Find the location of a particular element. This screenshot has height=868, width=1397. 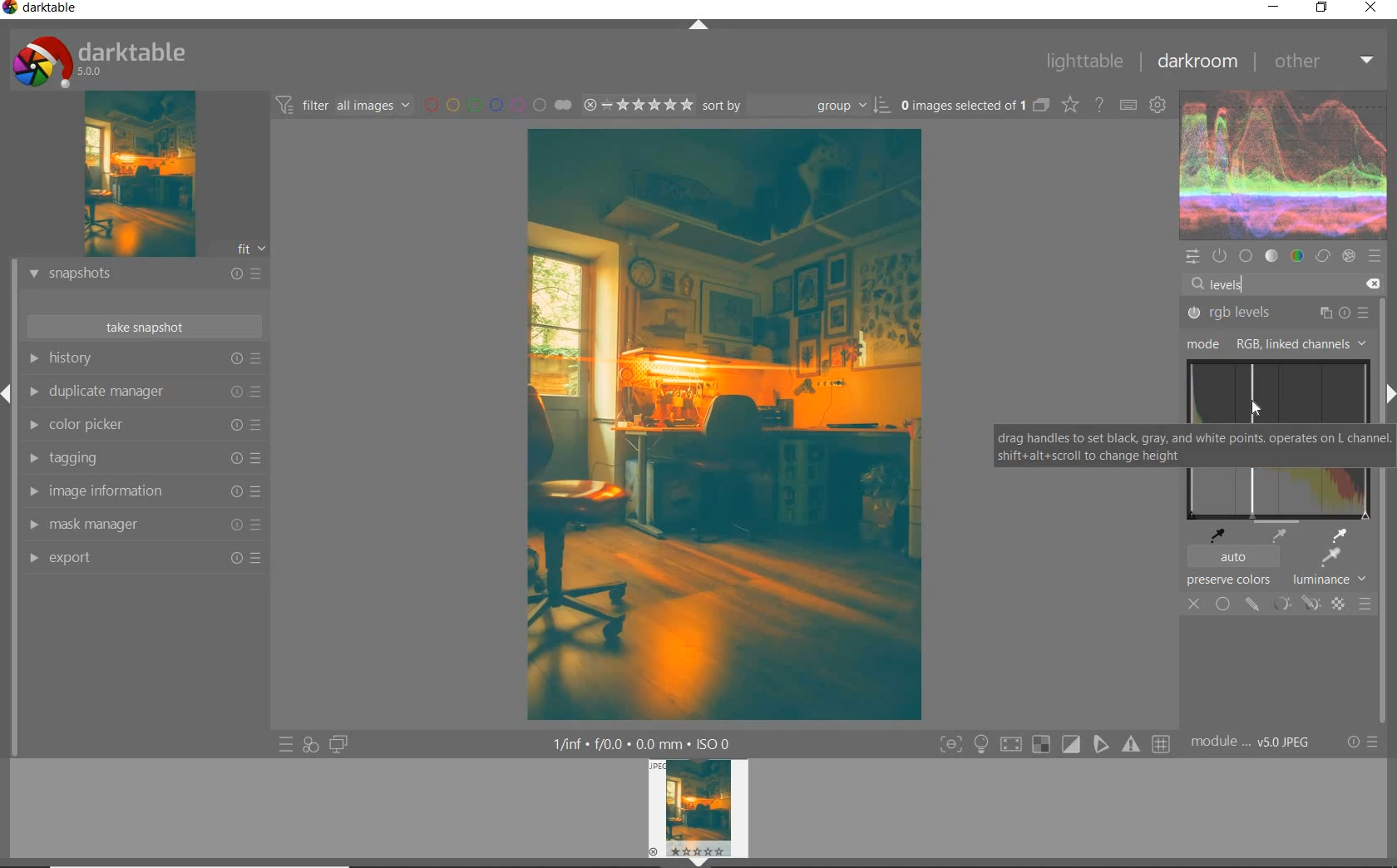

waveform is located at coordinates (1284, 165).